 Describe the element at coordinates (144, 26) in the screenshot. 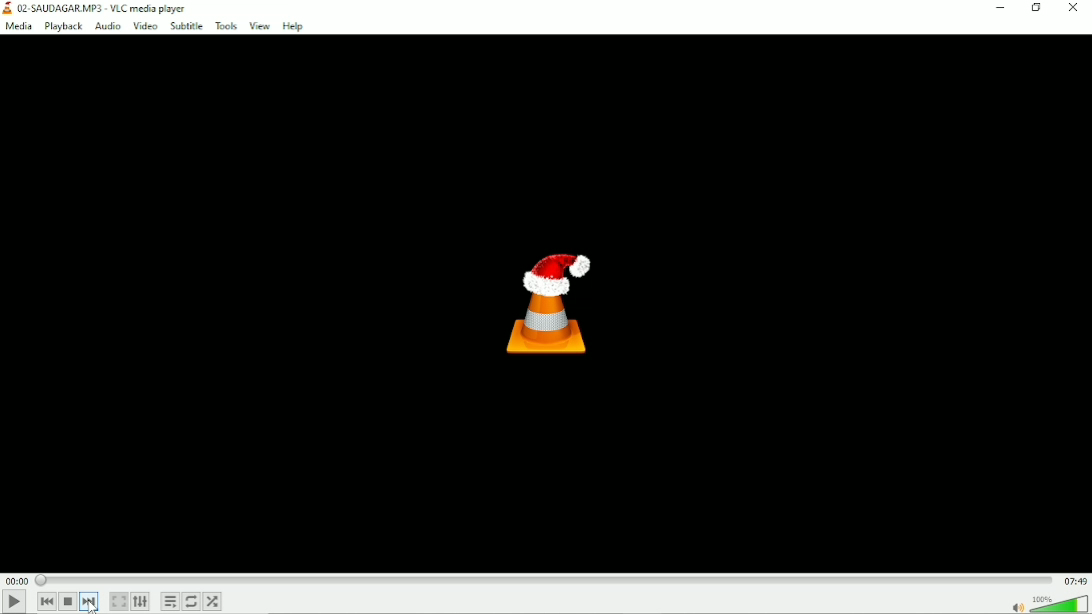

I see `Video` at that location.